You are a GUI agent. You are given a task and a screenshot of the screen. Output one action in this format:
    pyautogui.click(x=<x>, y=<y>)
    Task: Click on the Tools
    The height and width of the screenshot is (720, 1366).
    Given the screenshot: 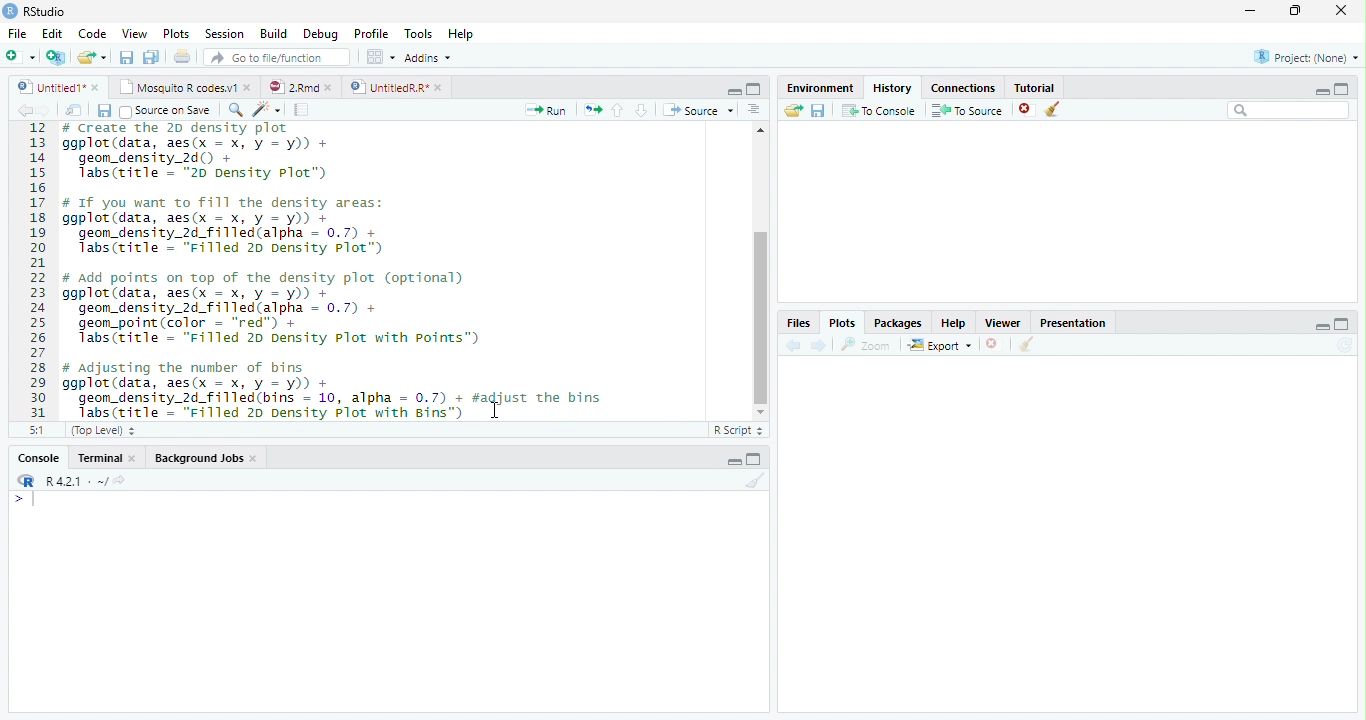 What is the action you would take?
    pyautogui.click(x=419, y=34)
    